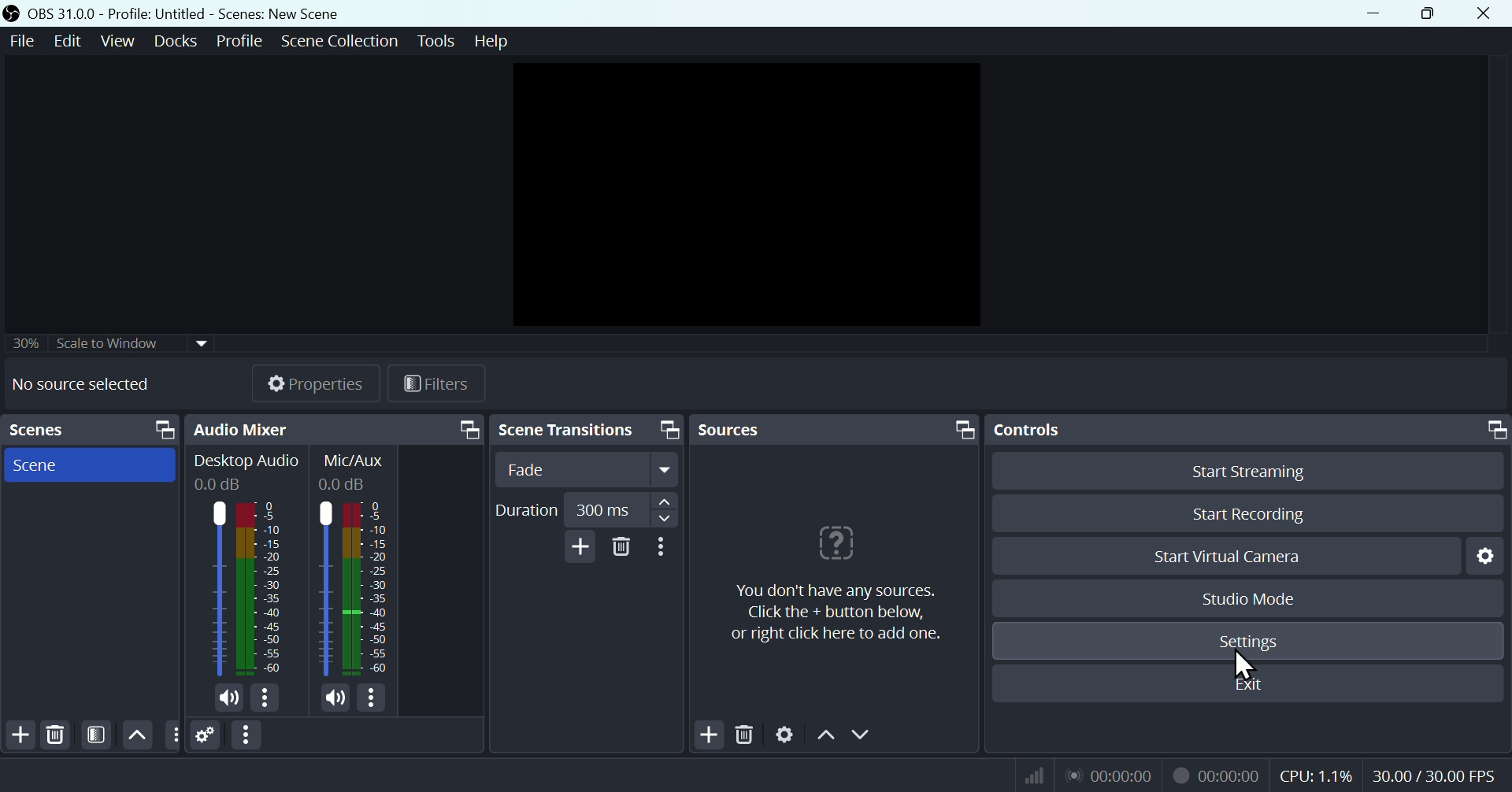 This screenshot has height=792, width=1512. Describe the element at coordinates (250, 735) in the screenshot. I see `More options` at that location.